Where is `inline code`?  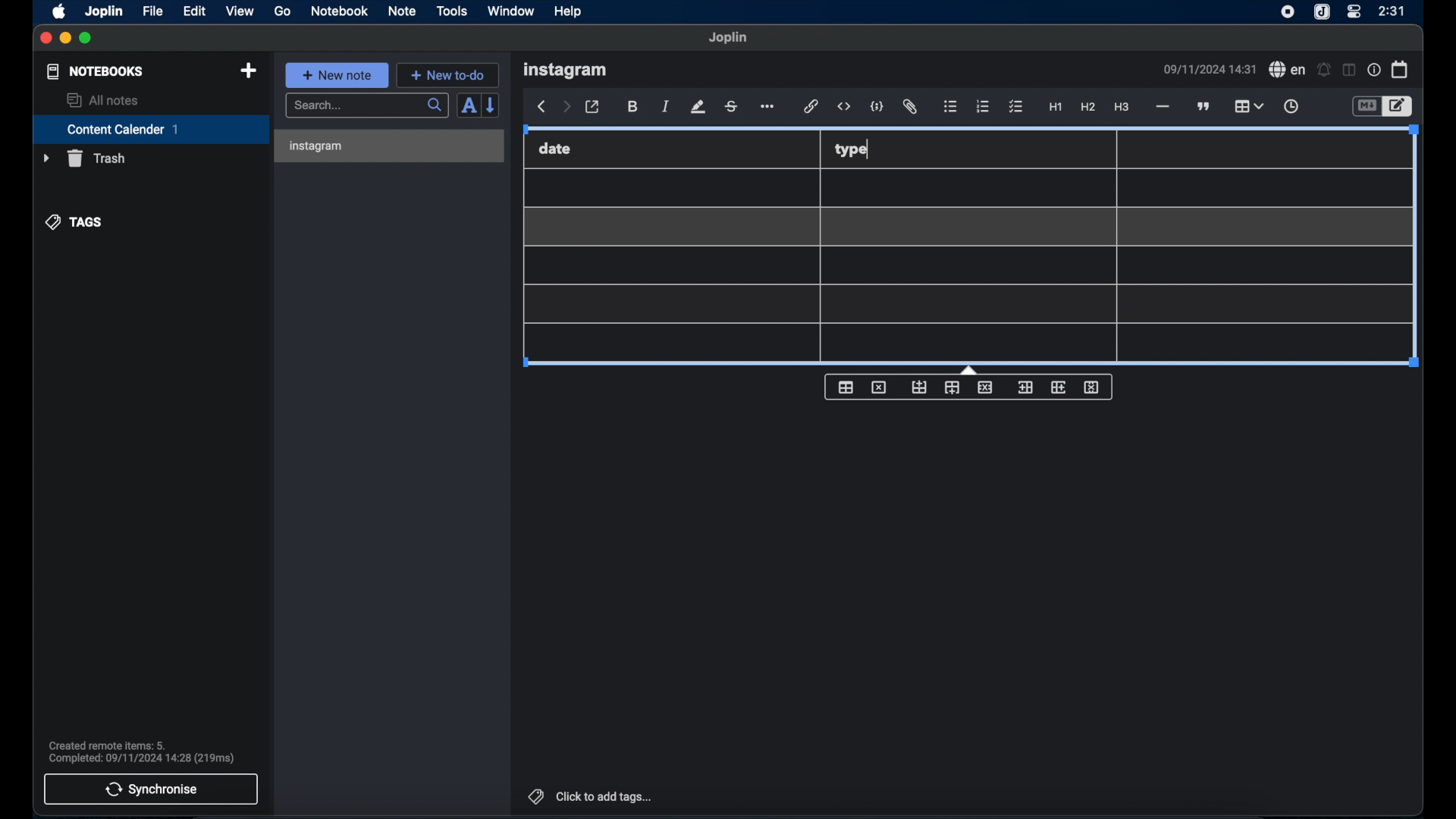 inline code is located at coordinates (844, 107).